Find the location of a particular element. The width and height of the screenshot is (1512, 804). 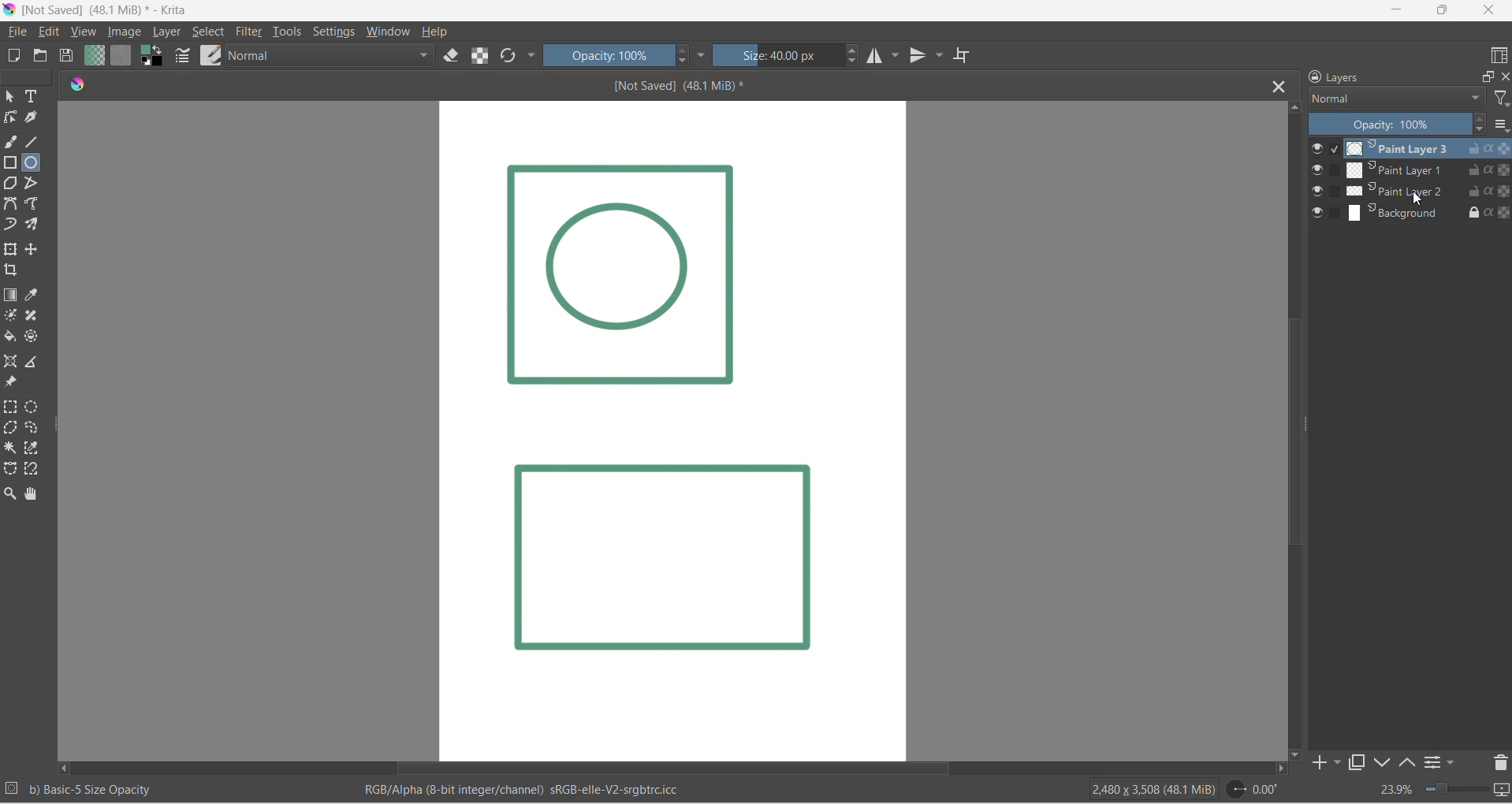

zoom percent is located at coordinates (1396, 791).